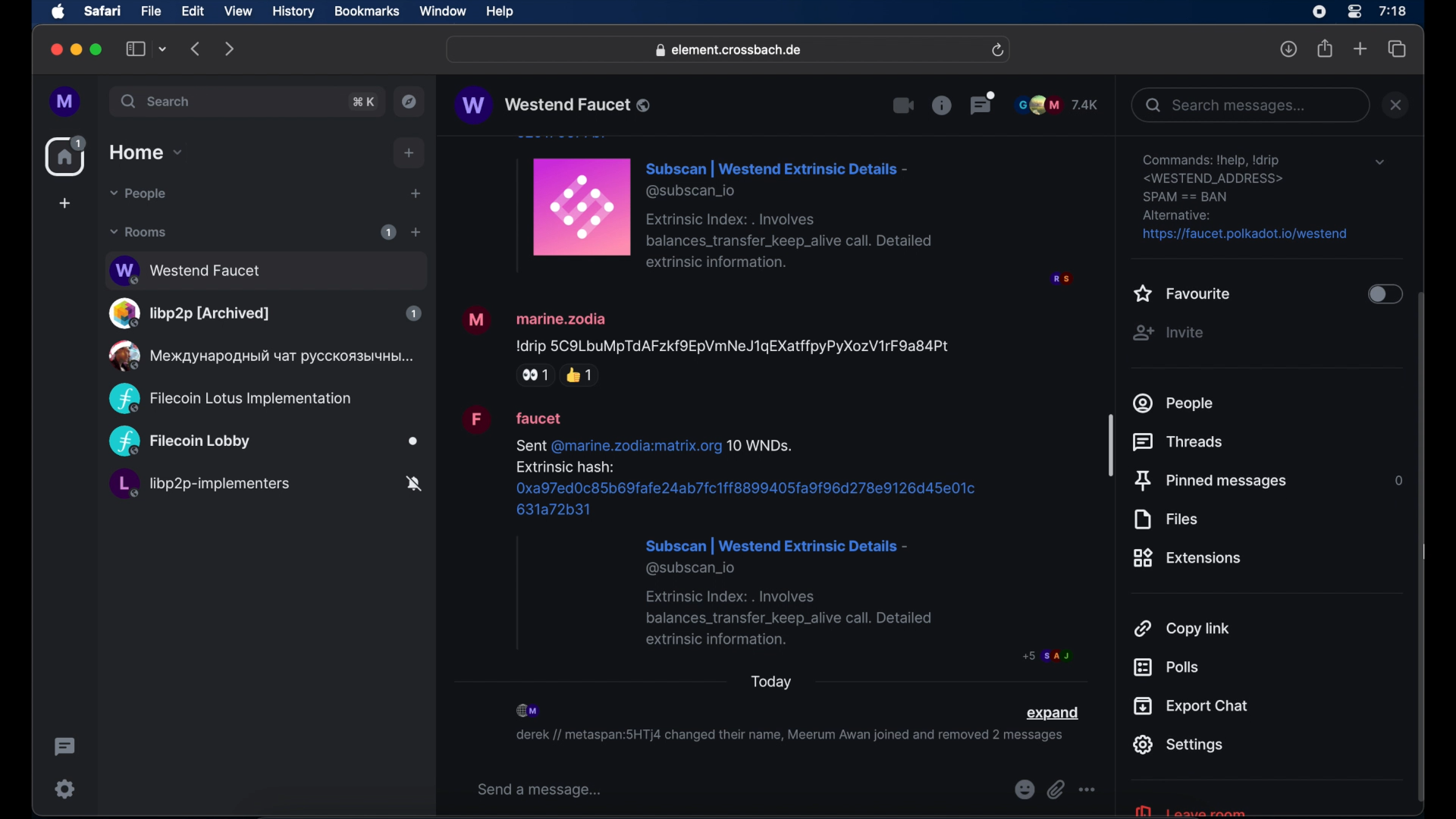 This screenshot has width=1456, height=819. Describe the element at coordinates (259, 356) in the screenshot. I see `public room` at that location.